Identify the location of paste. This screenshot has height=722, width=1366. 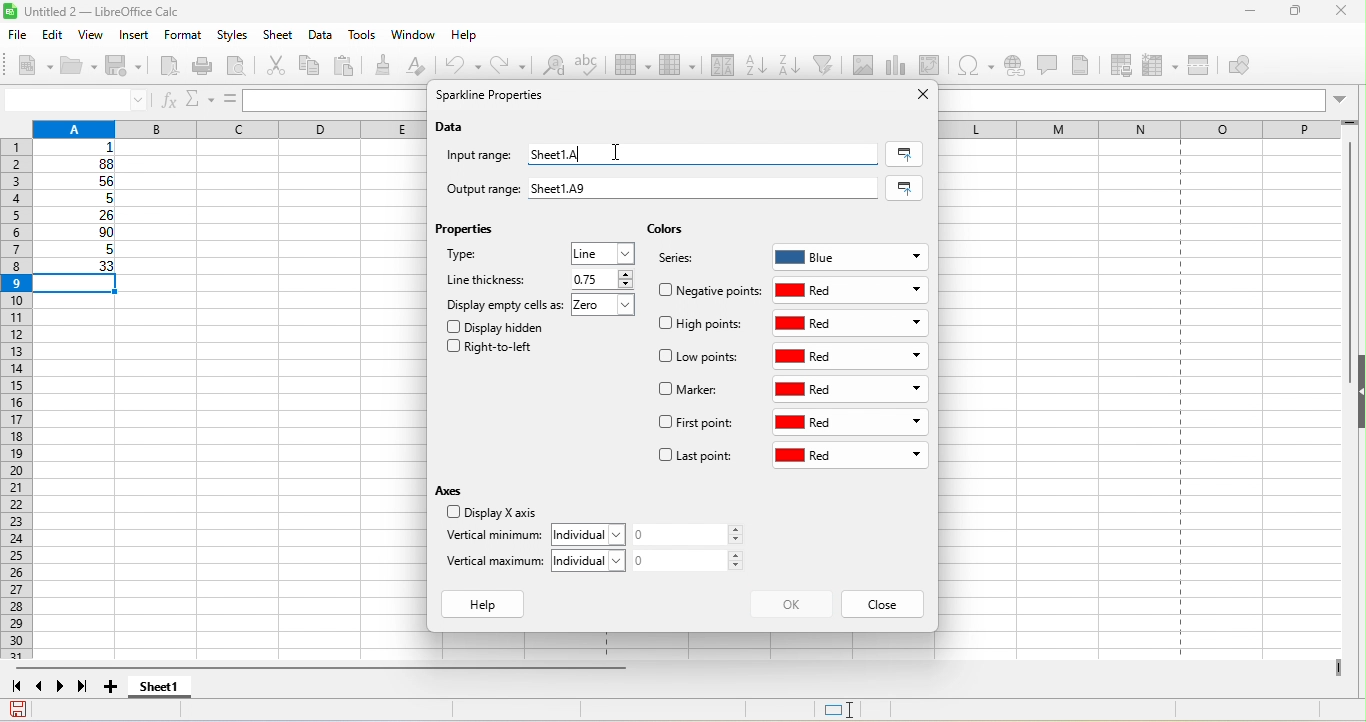
(349, 67).